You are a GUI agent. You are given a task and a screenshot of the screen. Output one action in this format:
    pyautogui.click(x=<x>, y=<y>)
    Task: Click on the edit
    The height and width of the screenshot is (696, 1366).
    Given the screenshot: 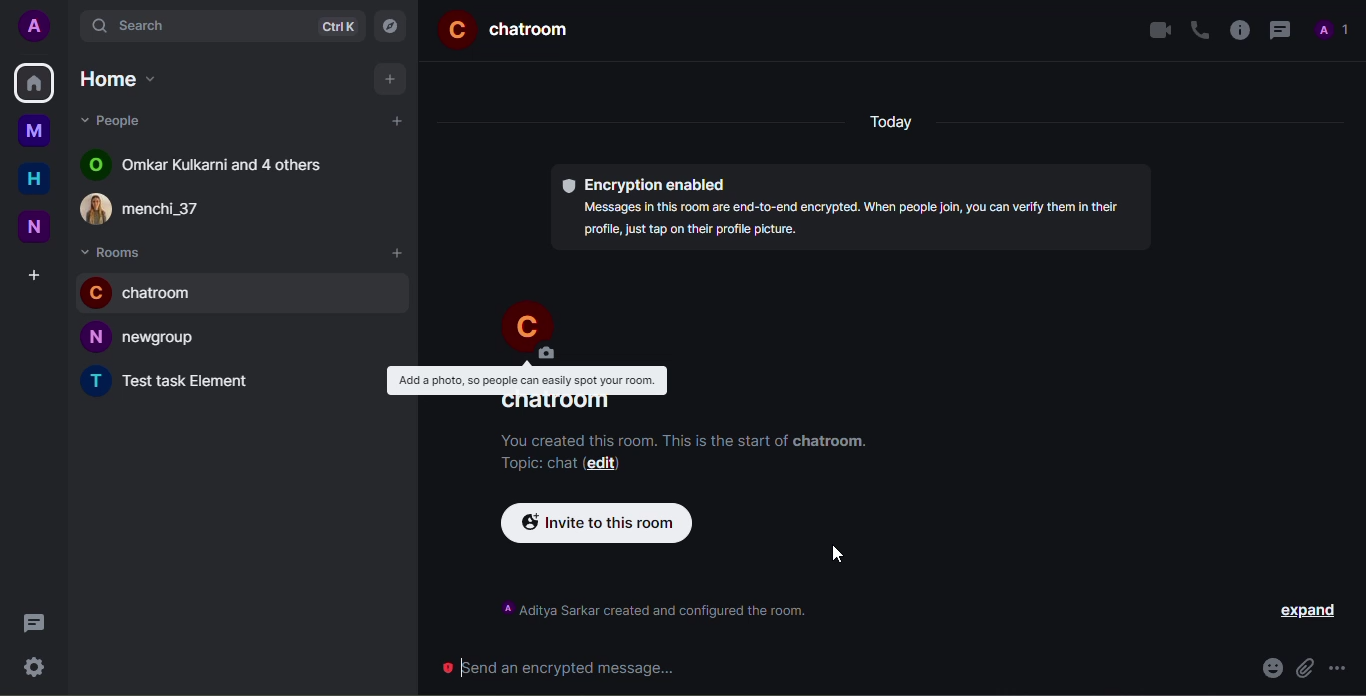 What is the action you would take?
    pyautogui.click(x=615, y=463)
    